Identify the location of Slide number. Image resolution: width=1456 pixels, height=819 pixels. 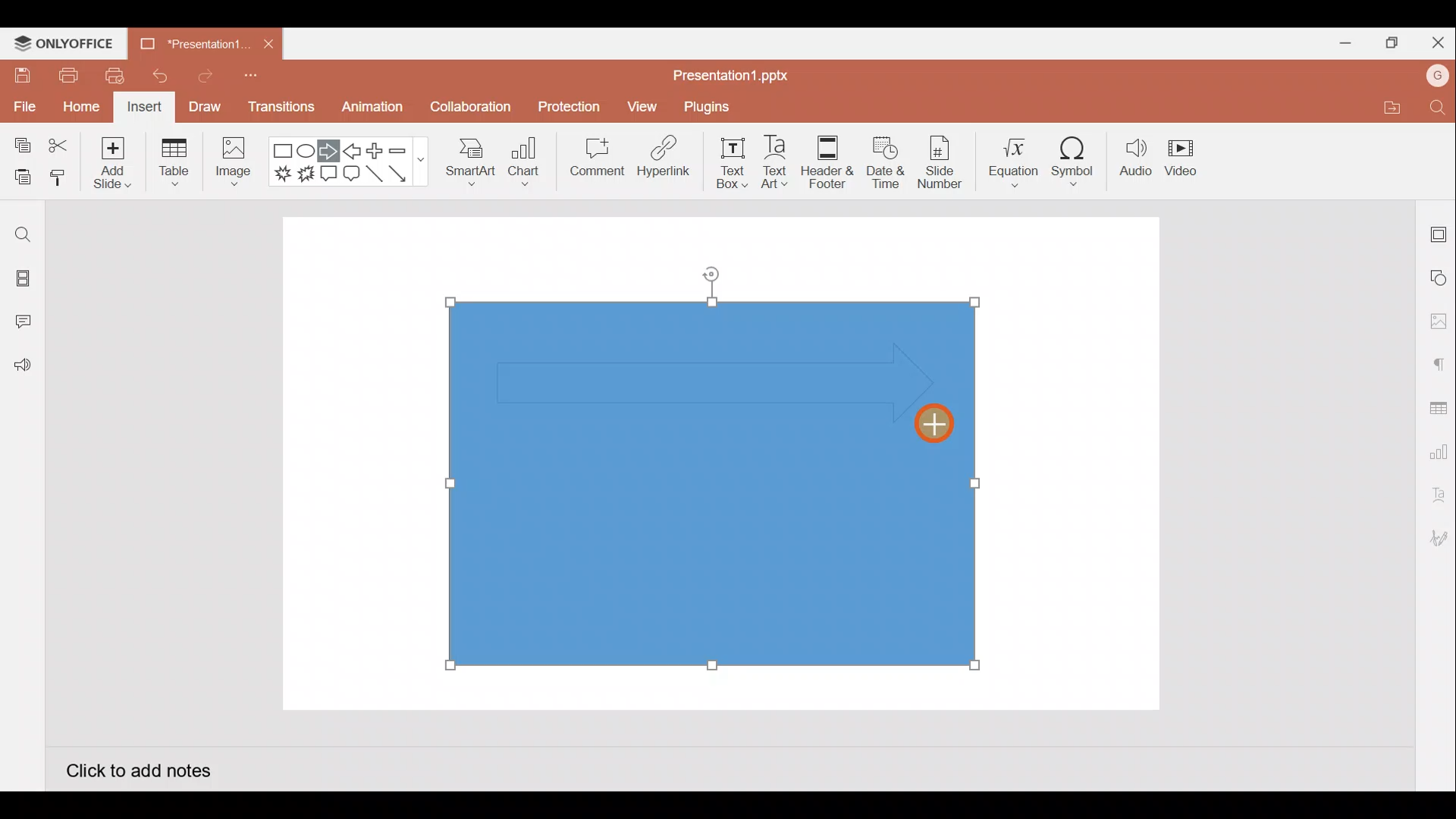
(939, 162).